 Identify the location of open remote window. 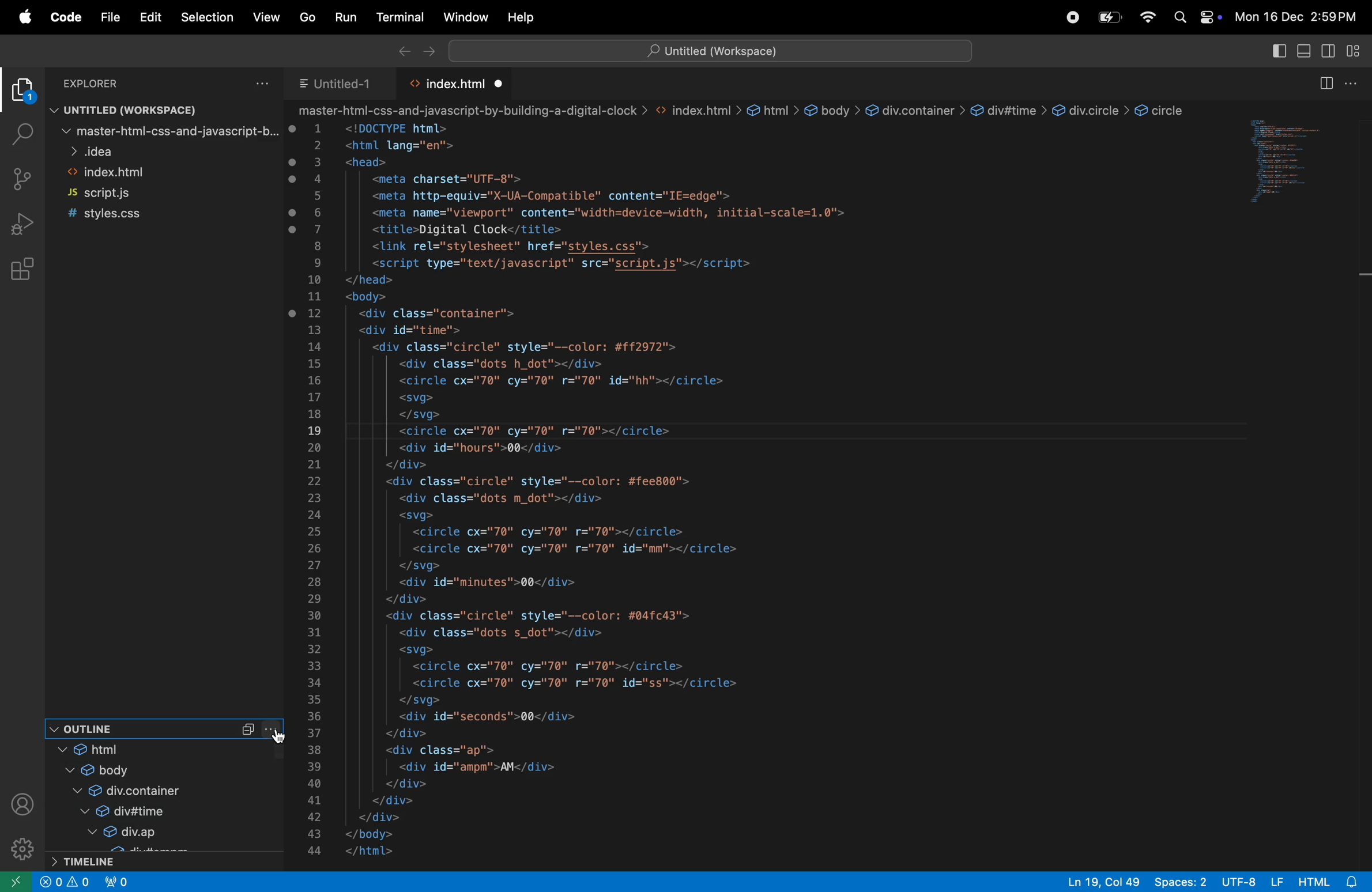
(14, 883).